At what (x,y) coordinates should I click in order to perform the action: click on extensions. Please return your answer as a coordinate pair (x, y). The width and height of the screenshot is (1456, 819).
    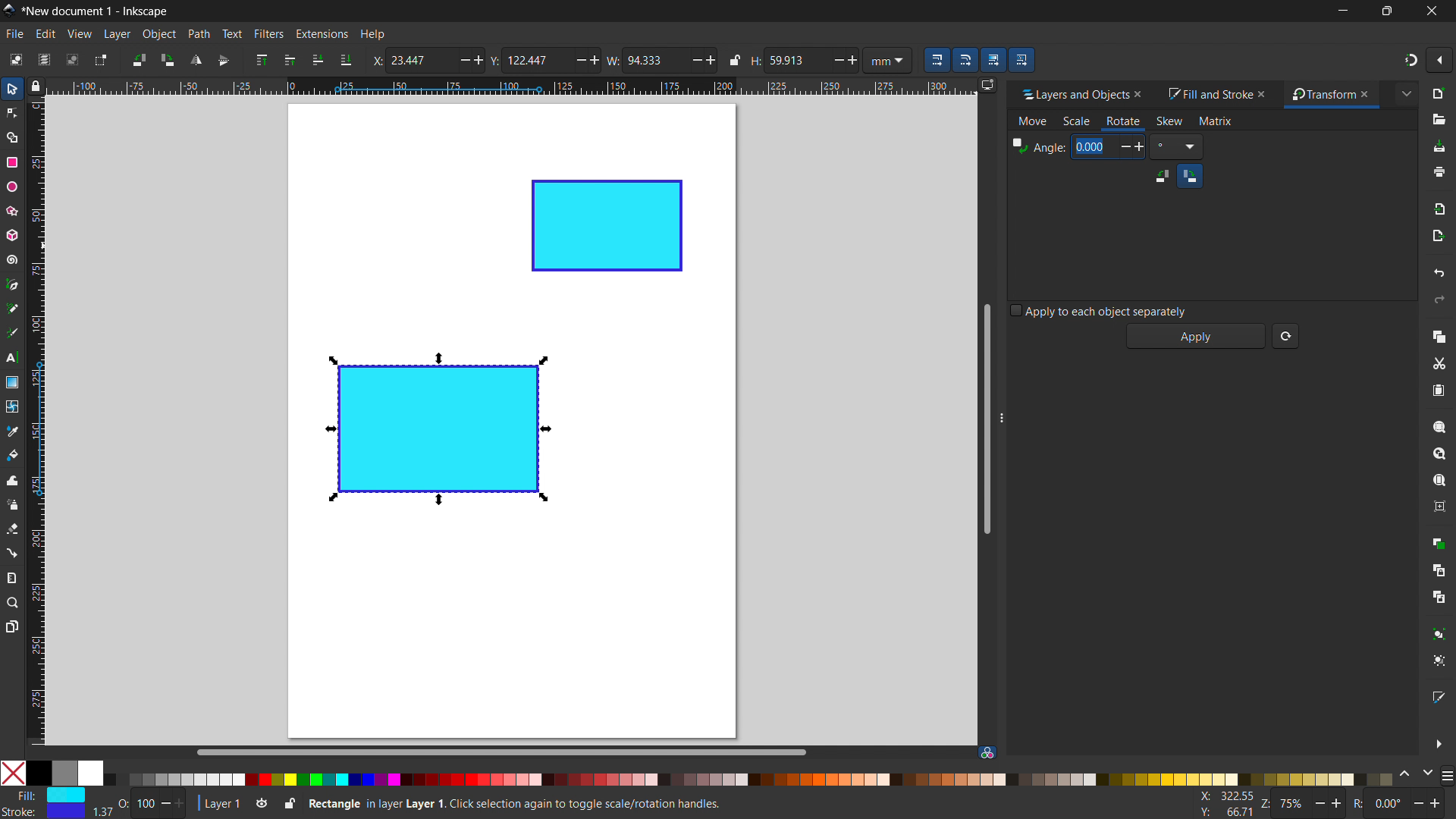
    Looking at the image, I should click on (321, 33).